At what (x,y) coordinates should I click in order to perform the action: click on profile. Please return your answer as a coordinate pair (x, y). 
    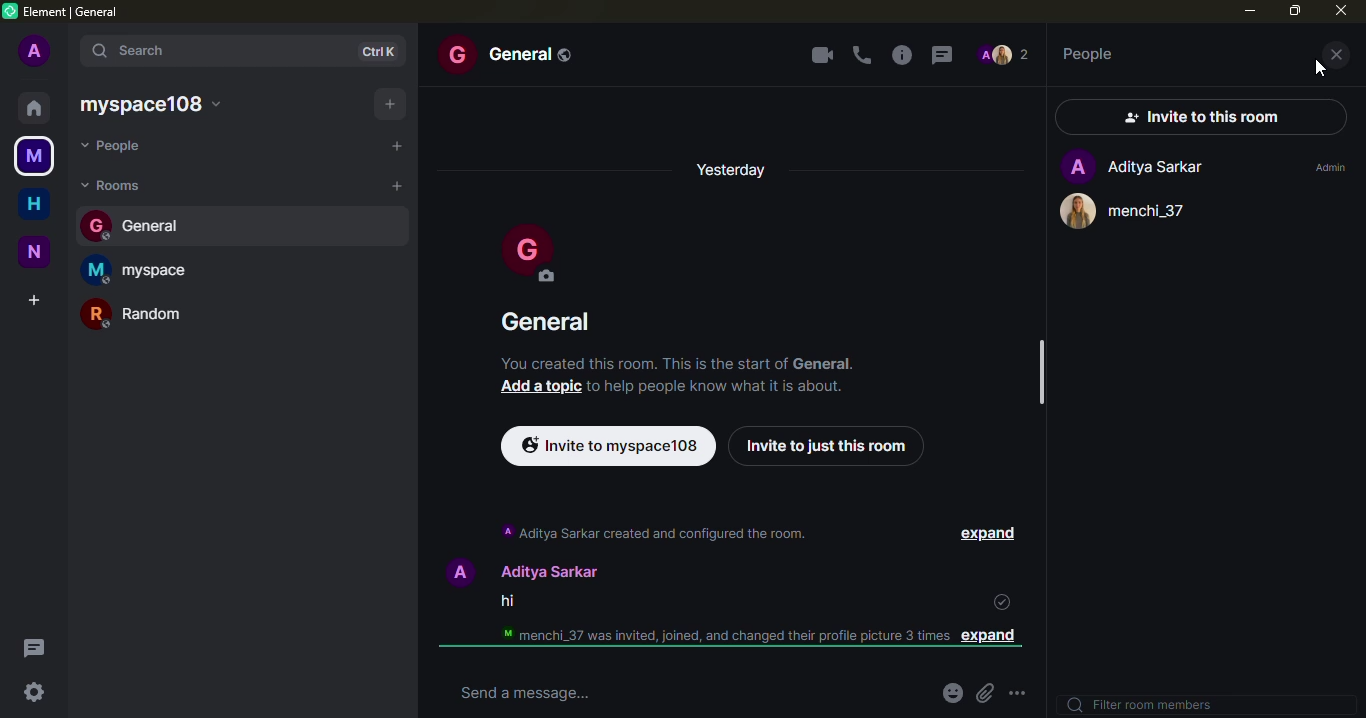
    Looking at the image, I should click on (1005, 54).